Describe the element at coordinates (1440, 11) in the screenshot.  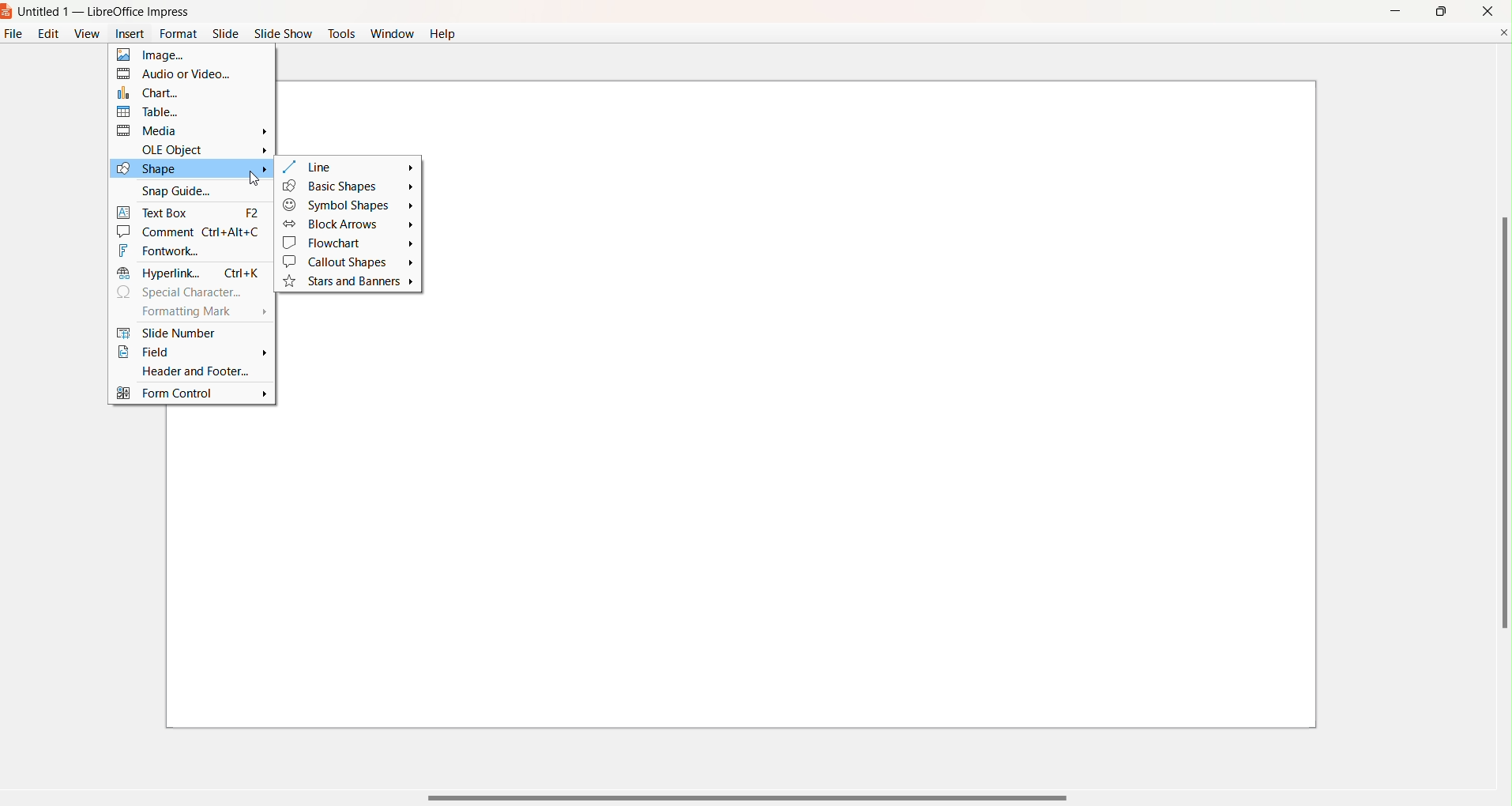
I see `maximize` at that location.